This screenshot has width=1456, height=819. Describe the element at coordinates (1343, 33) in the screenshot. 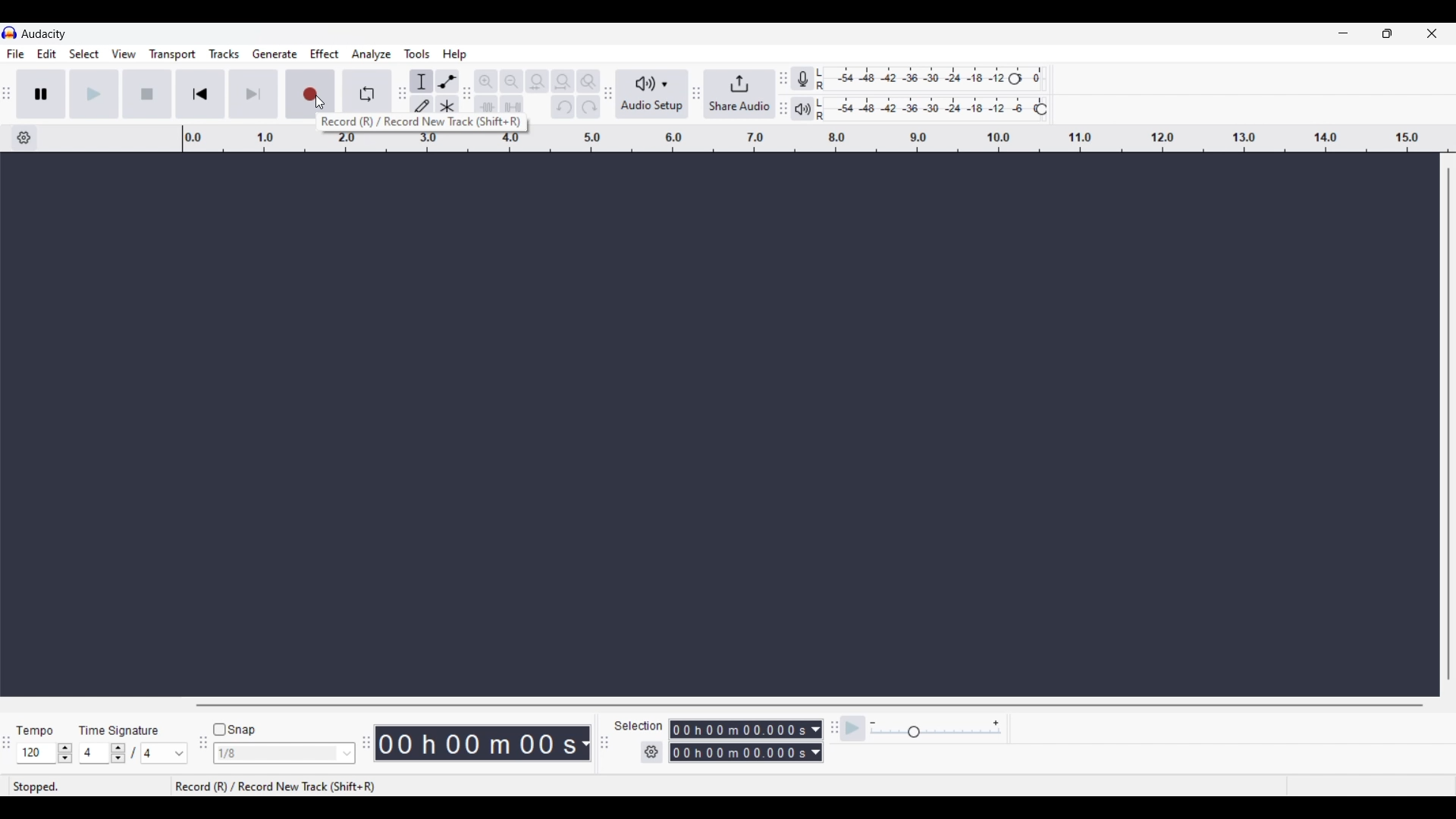

I see `Minimize` at that location.